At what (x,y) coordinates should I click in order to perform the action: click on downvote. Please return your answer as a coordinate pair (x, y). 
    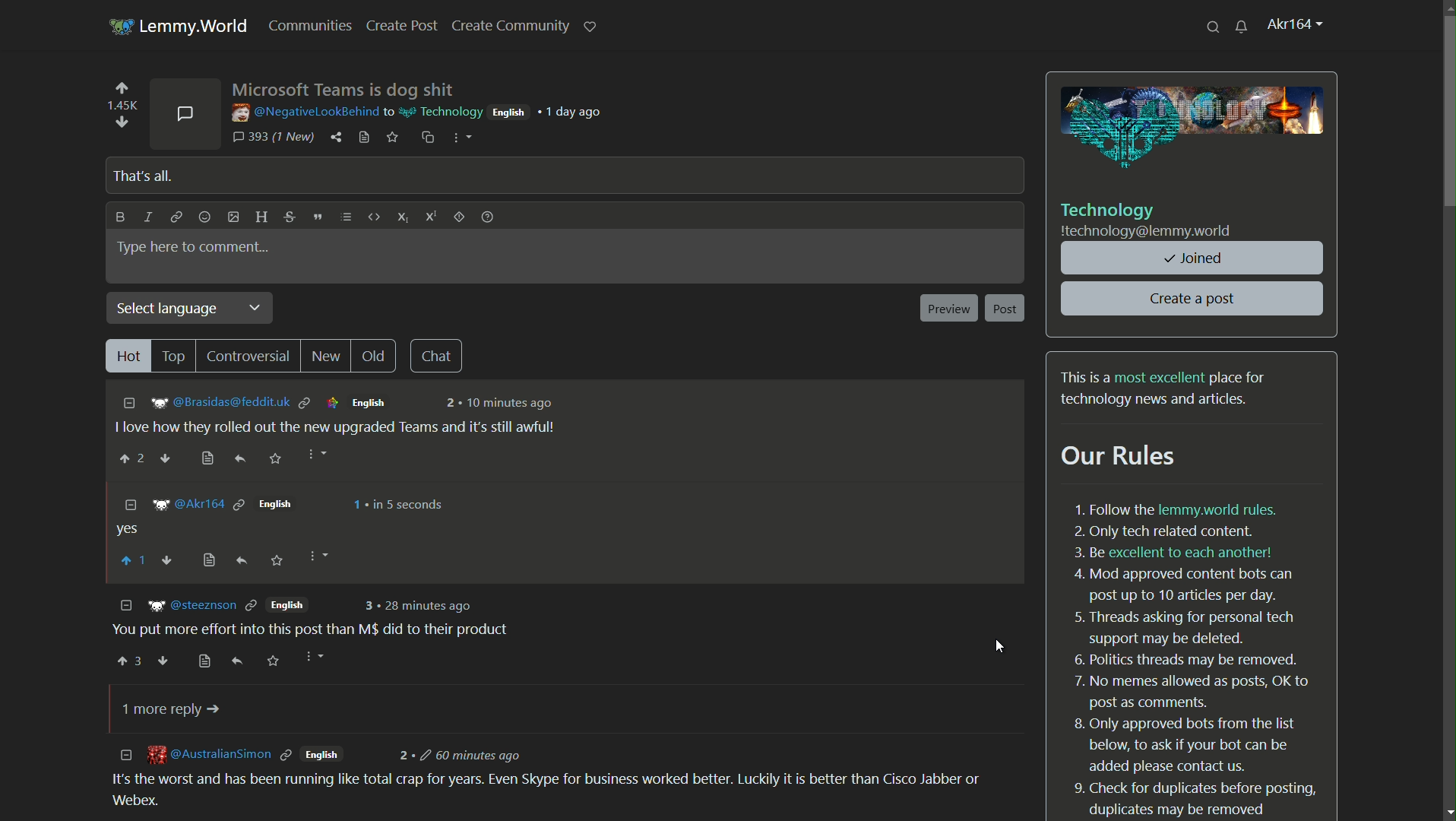
    Looking at the image, I should click on (120, 122).